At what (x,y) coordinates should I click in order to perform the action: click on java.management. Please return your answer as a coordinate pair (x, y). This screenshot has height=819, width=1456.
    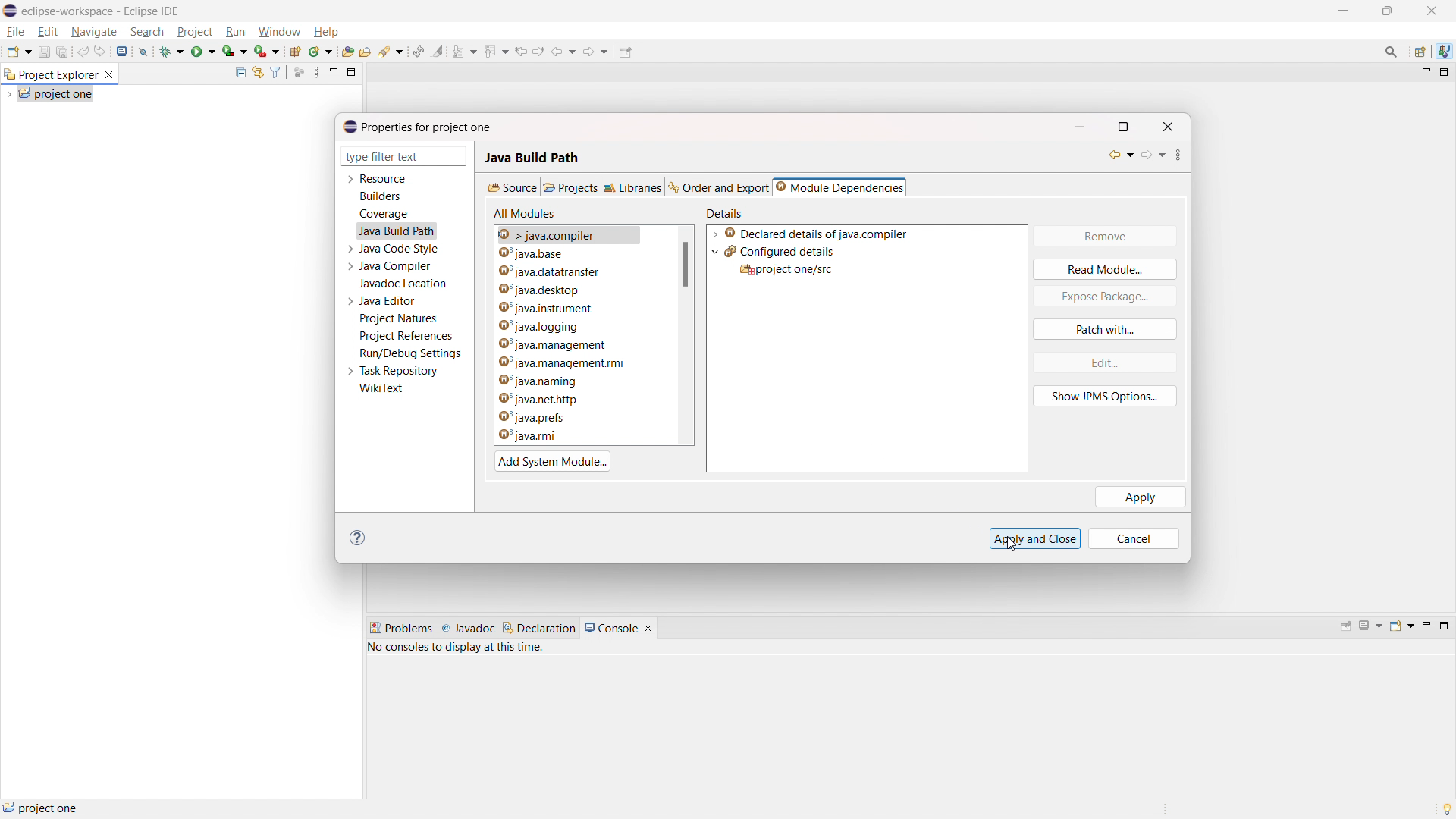
    Looking at the image, I should click on (570, 344).